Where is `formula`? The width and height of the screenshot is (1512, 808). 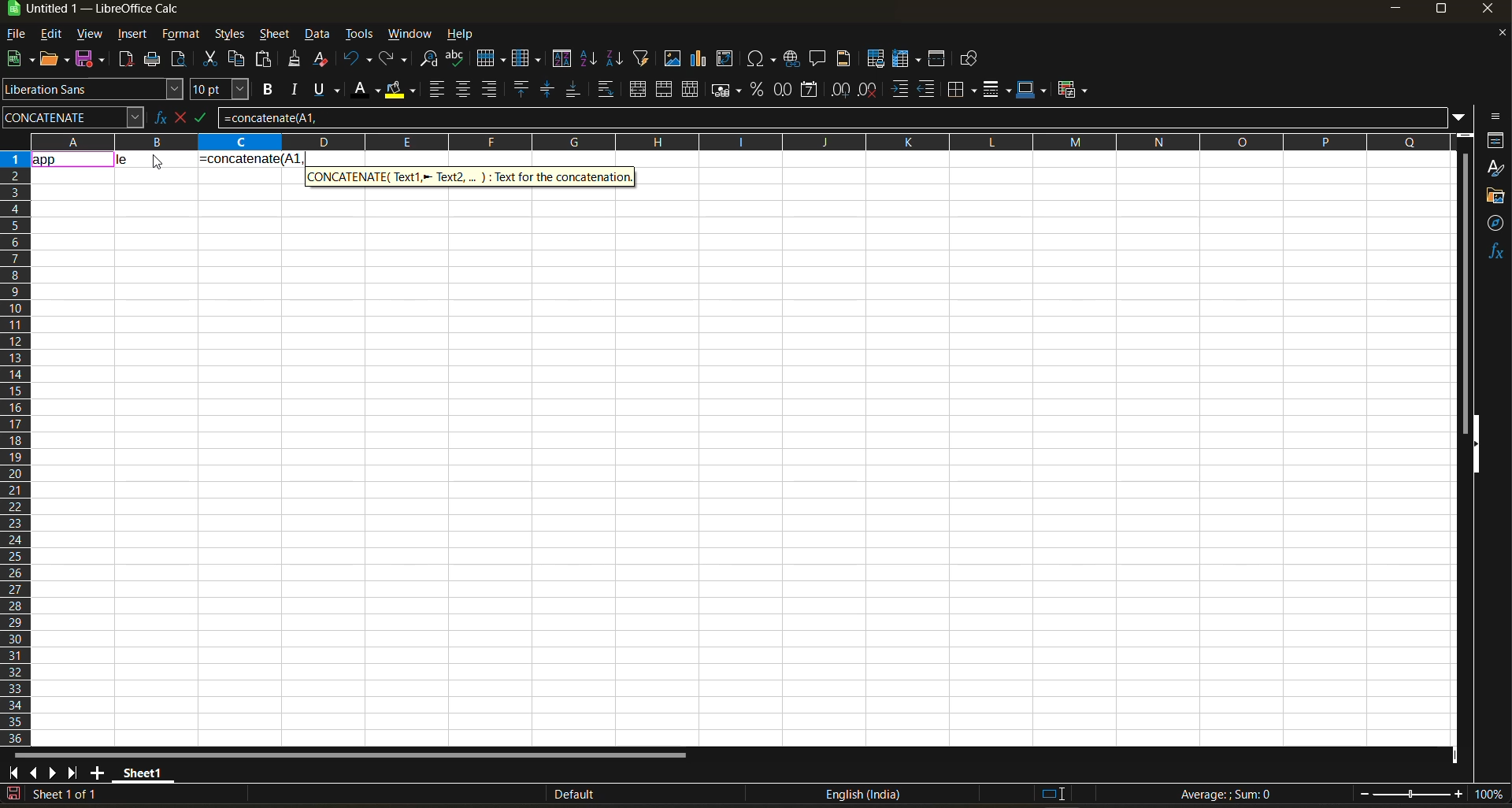
formula is located at coordinates (250, 158).